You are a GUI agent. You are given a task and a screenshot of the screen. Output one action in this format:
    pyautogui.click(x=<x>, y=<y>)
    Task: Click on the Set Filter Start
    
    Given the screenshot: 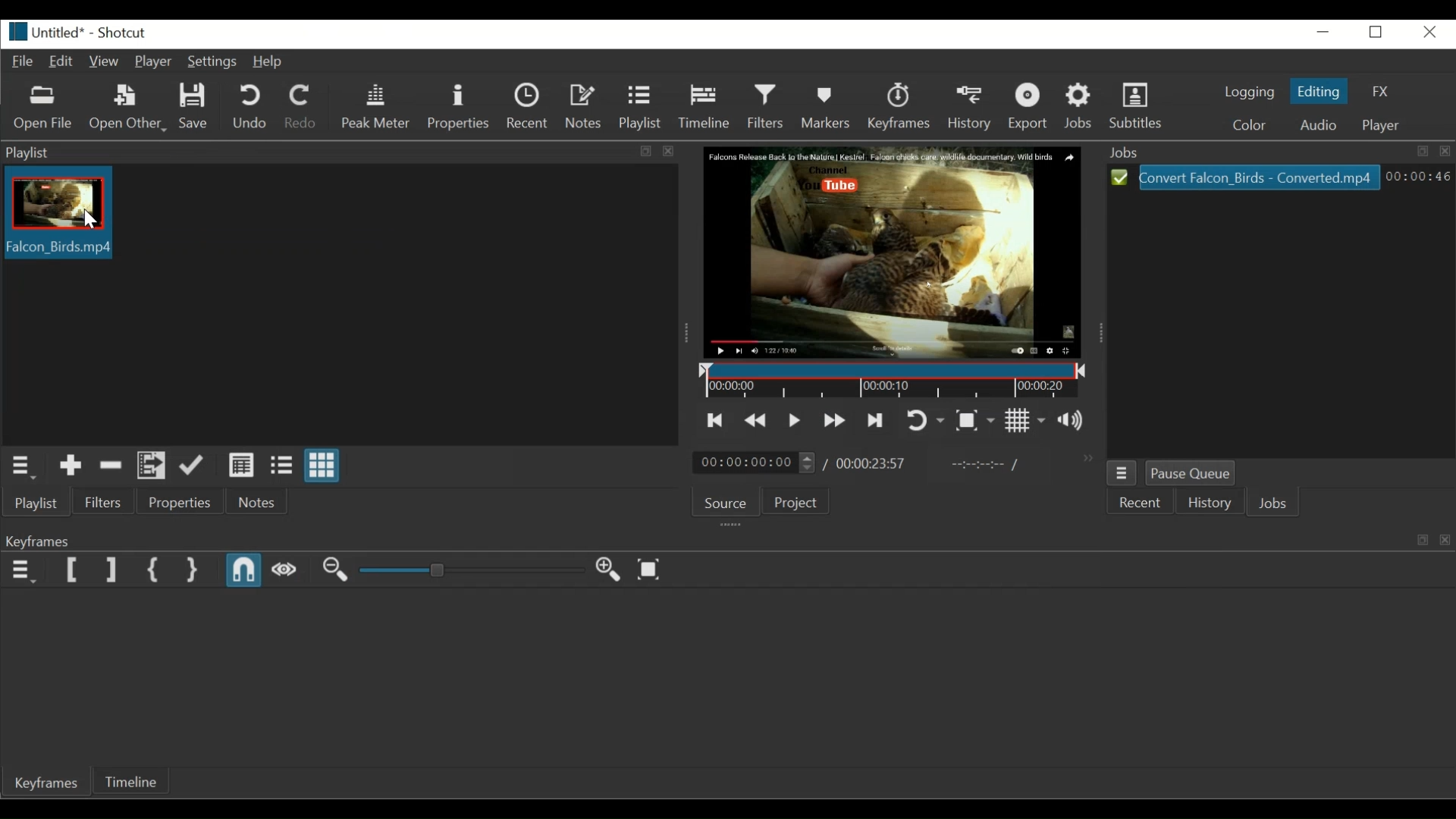 What is the action you would take?
    pyautogui.click(x=74, y=570)
    